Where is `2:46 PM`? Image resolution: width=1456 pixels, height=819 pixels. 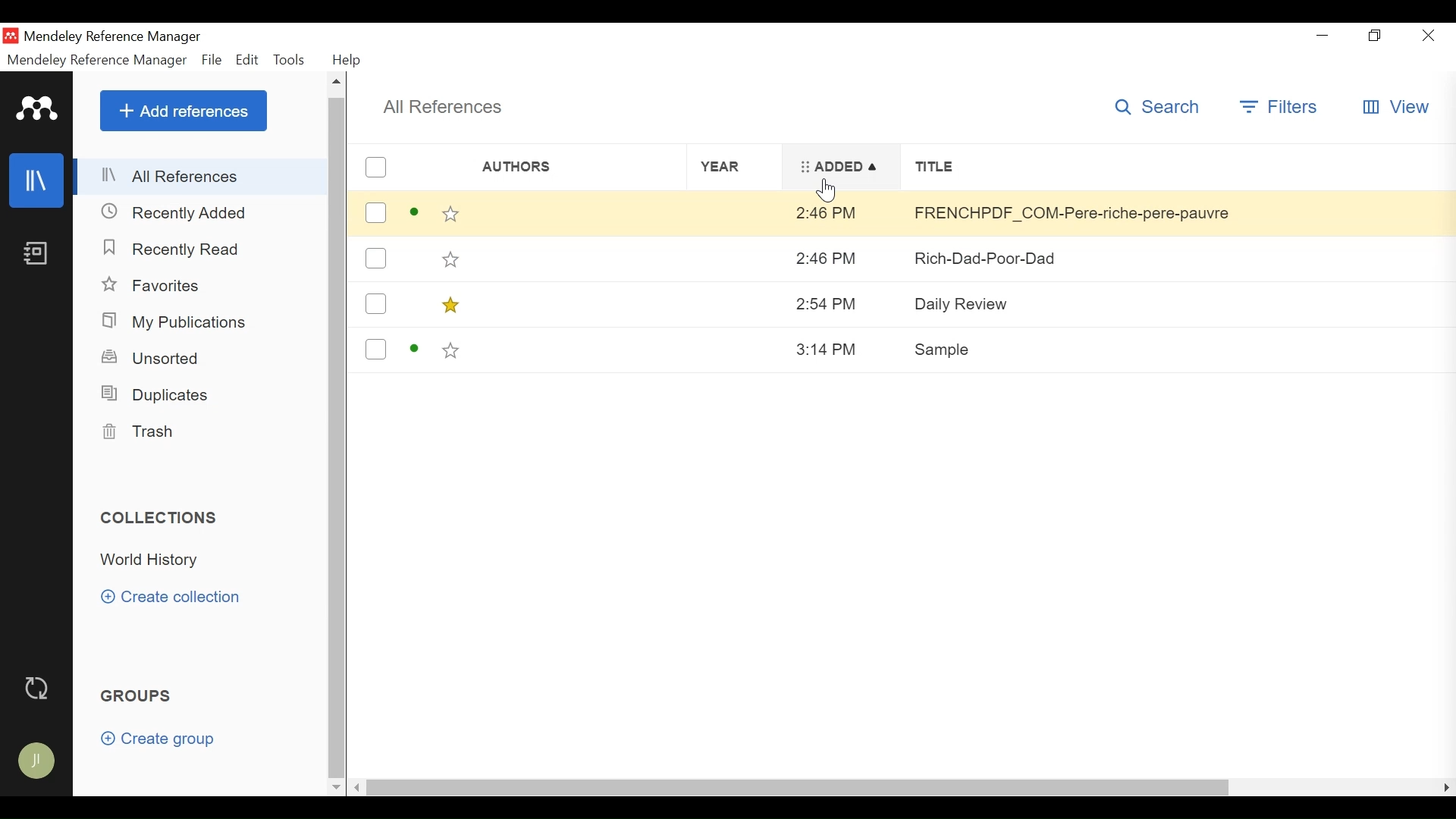 2:46 PM is located at coordinates (840, 303).